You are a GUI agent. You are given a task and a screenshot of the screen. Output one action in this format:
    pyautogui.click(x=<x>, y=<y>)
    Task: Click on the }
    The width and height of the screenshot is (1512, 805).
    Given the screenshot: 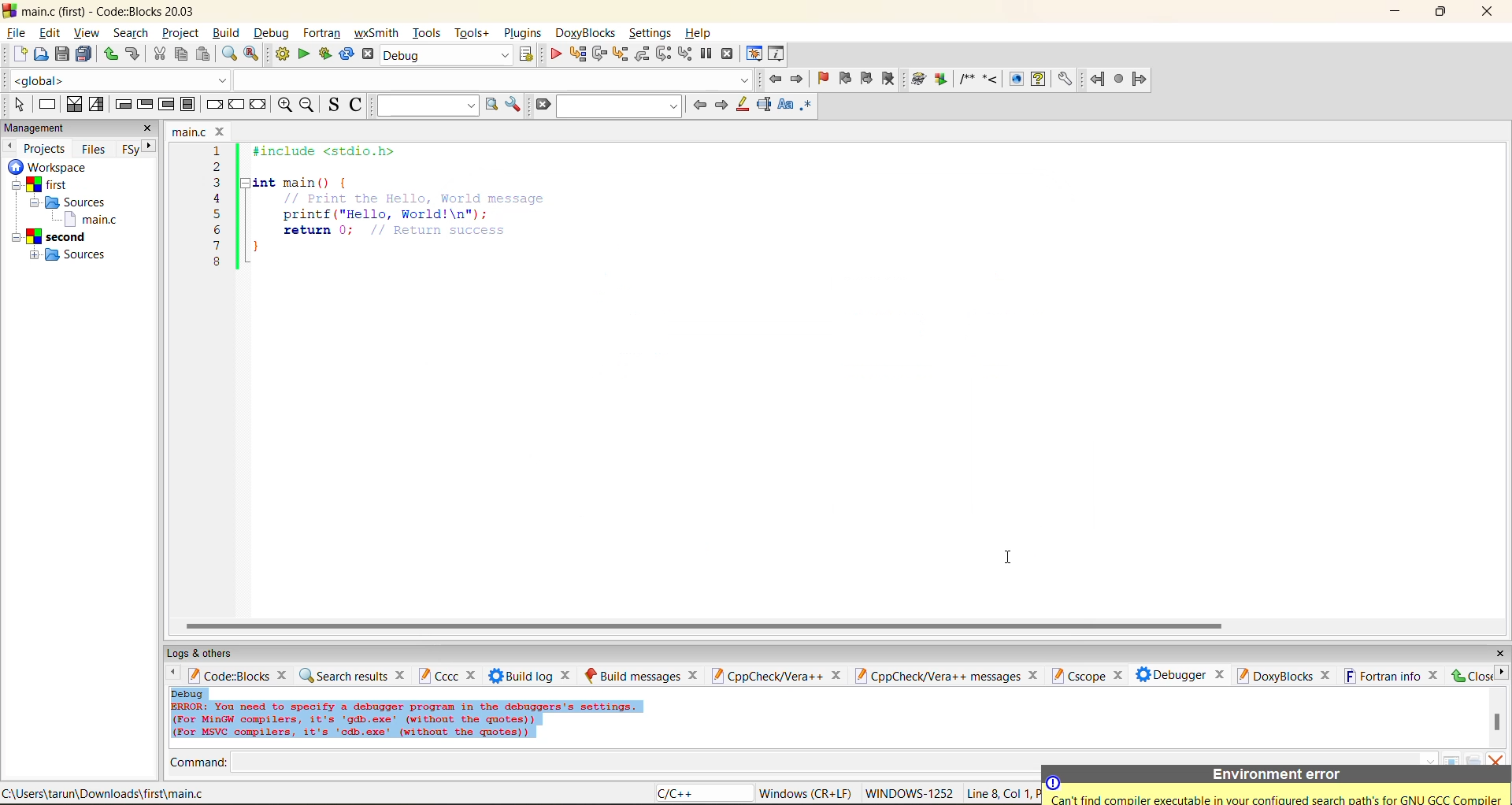 What is the action you would take?
    pyautogui.click(x=256, y=249)
    